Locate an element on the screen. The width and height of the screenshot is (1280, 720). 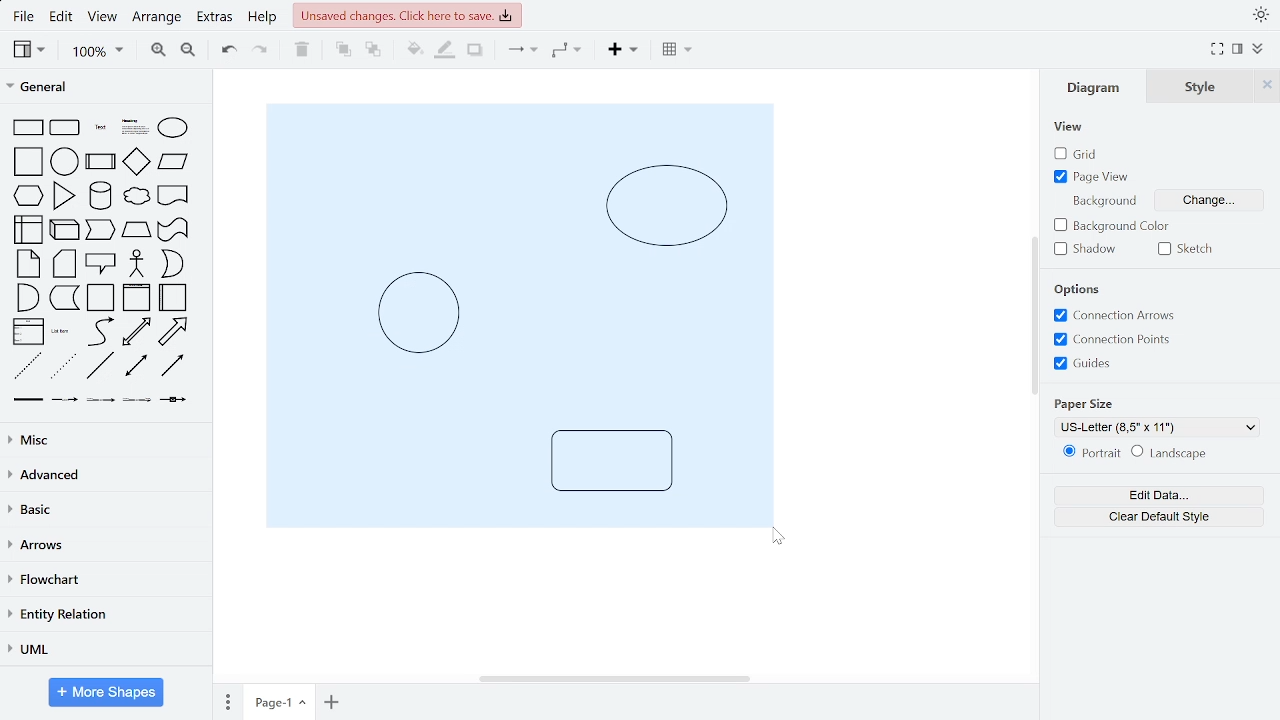
diamond is located at coordinates (137, 162).